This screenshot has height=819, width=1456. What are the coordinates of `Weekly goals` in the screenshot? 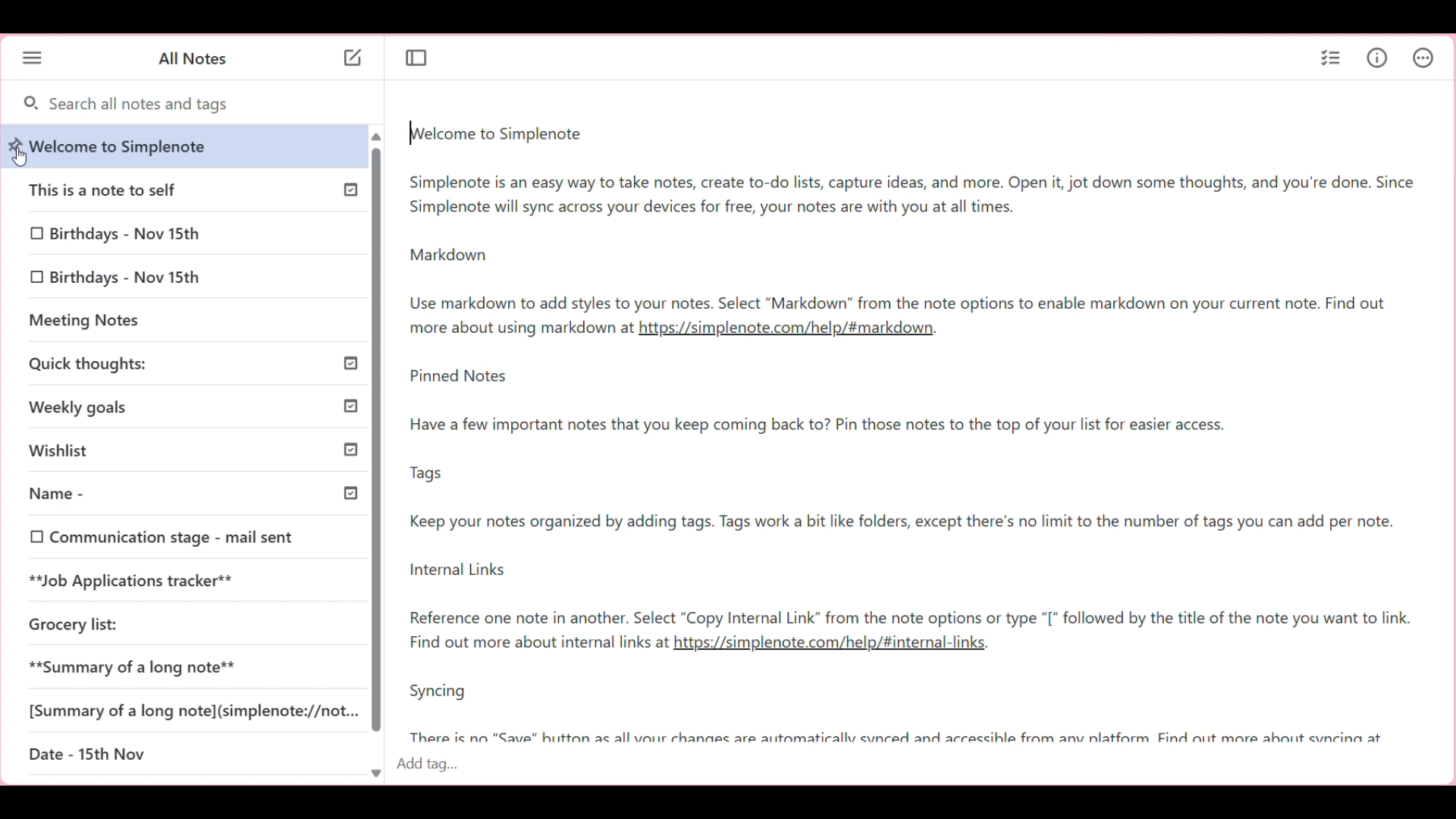 It's located at (140, 410).